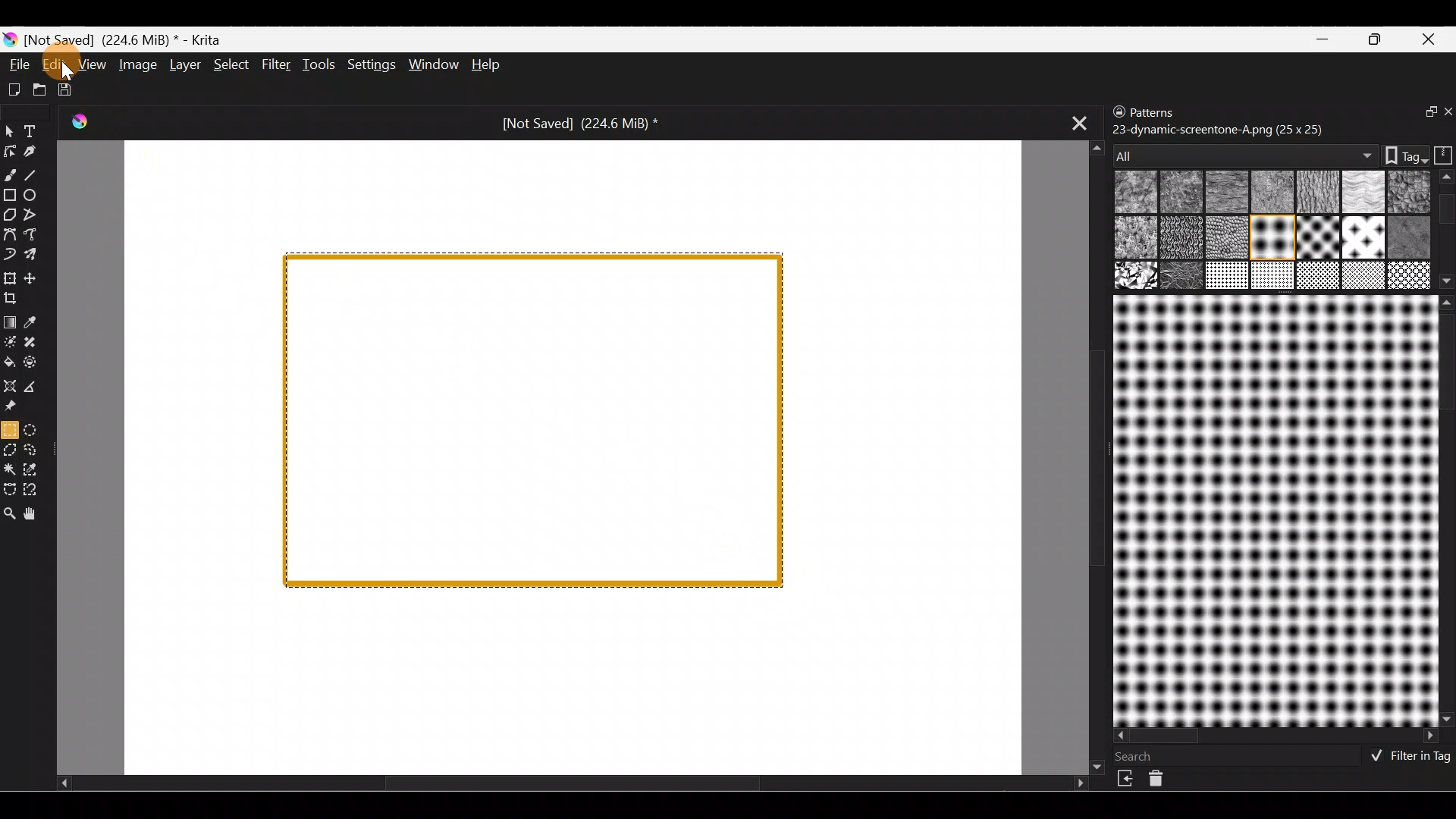 The width and height of the screenshot is (1456, 819). Describe the element at coordinates (1116, 113) in the screenshot. I see `Lock/unlock docker` at that location.